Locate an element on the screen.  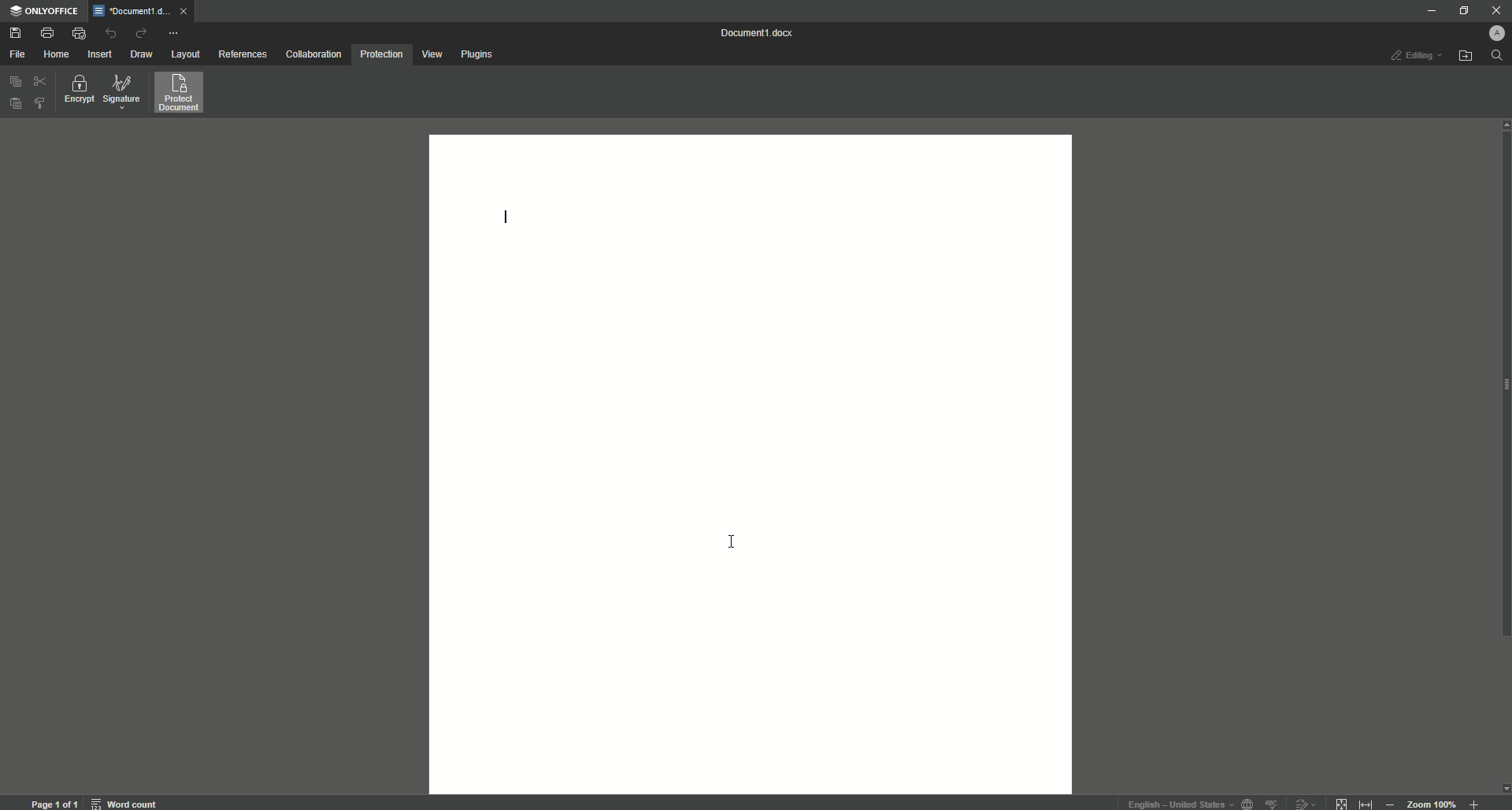
Profile is located at coordinates (1499, 31).